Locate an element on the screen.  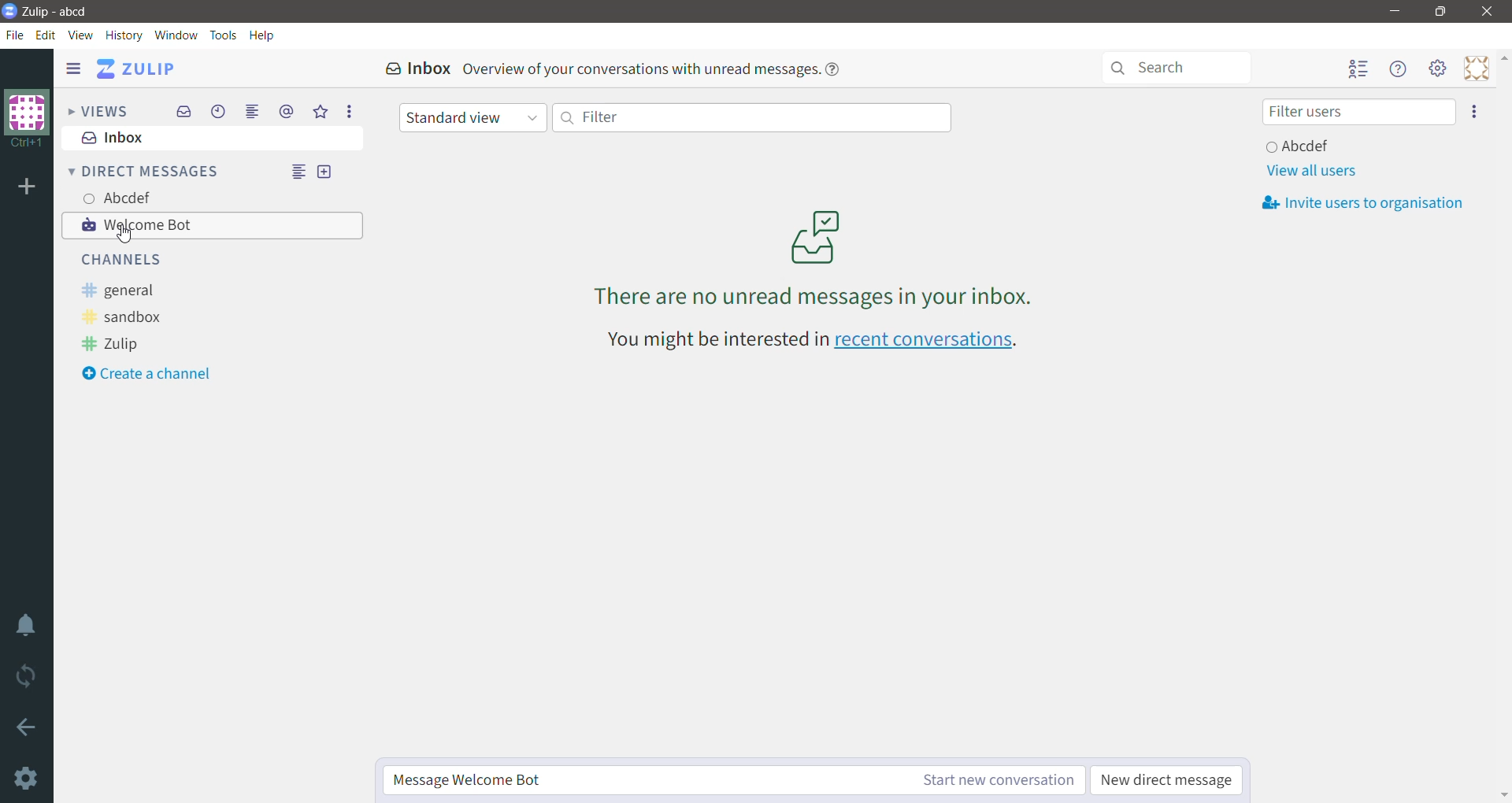
There are no unread messages in your inbox is located at coordinates (814, 256).